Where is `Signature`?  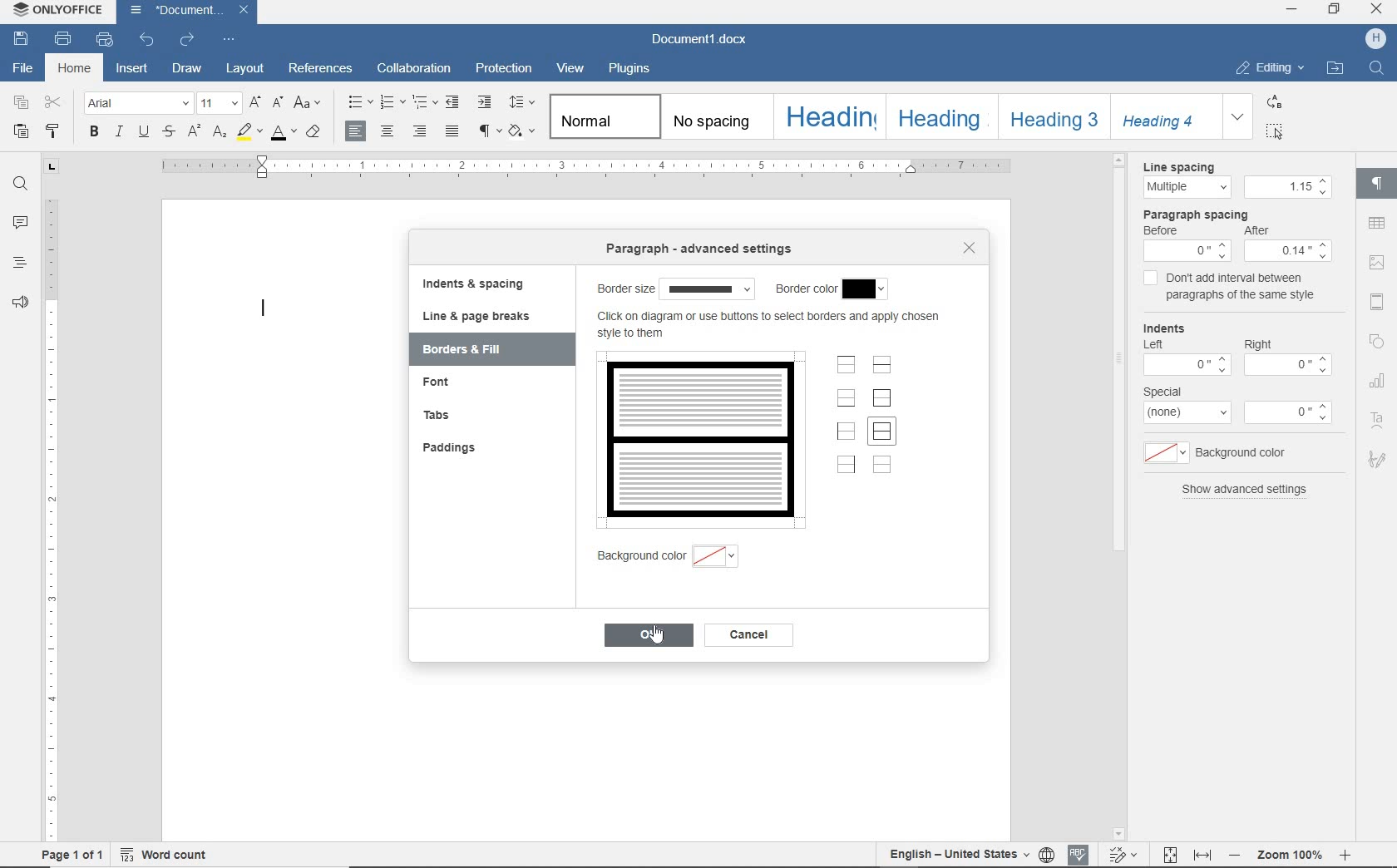
Signature is located at coordinates (1380, 461).